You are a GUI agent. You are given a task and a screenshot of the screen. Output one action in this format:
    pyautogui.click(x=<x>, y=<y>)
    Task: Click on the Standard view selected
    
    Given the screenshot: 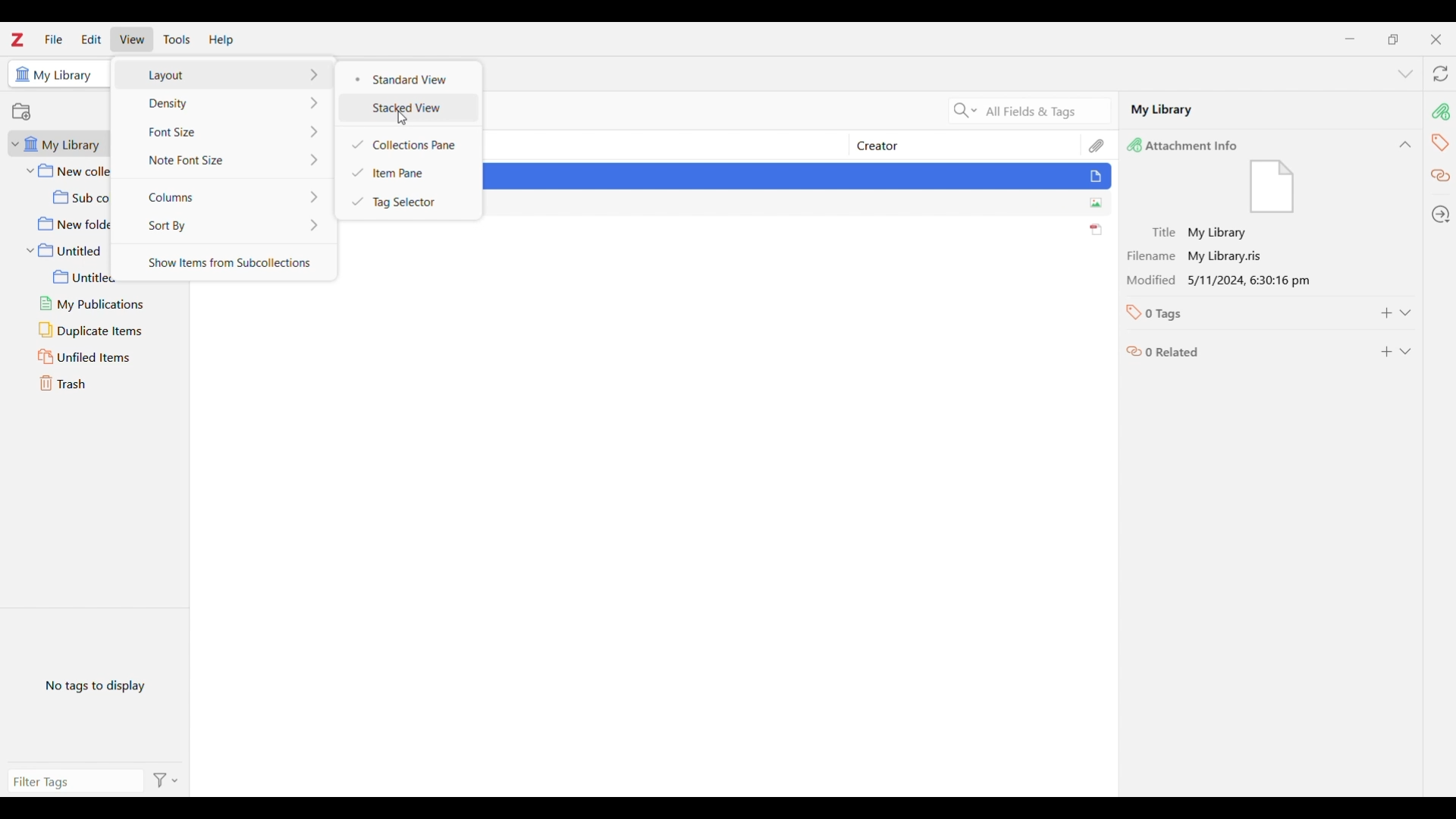 What is the action you would take?
    pyautogui.click(x=411, y=79)
    